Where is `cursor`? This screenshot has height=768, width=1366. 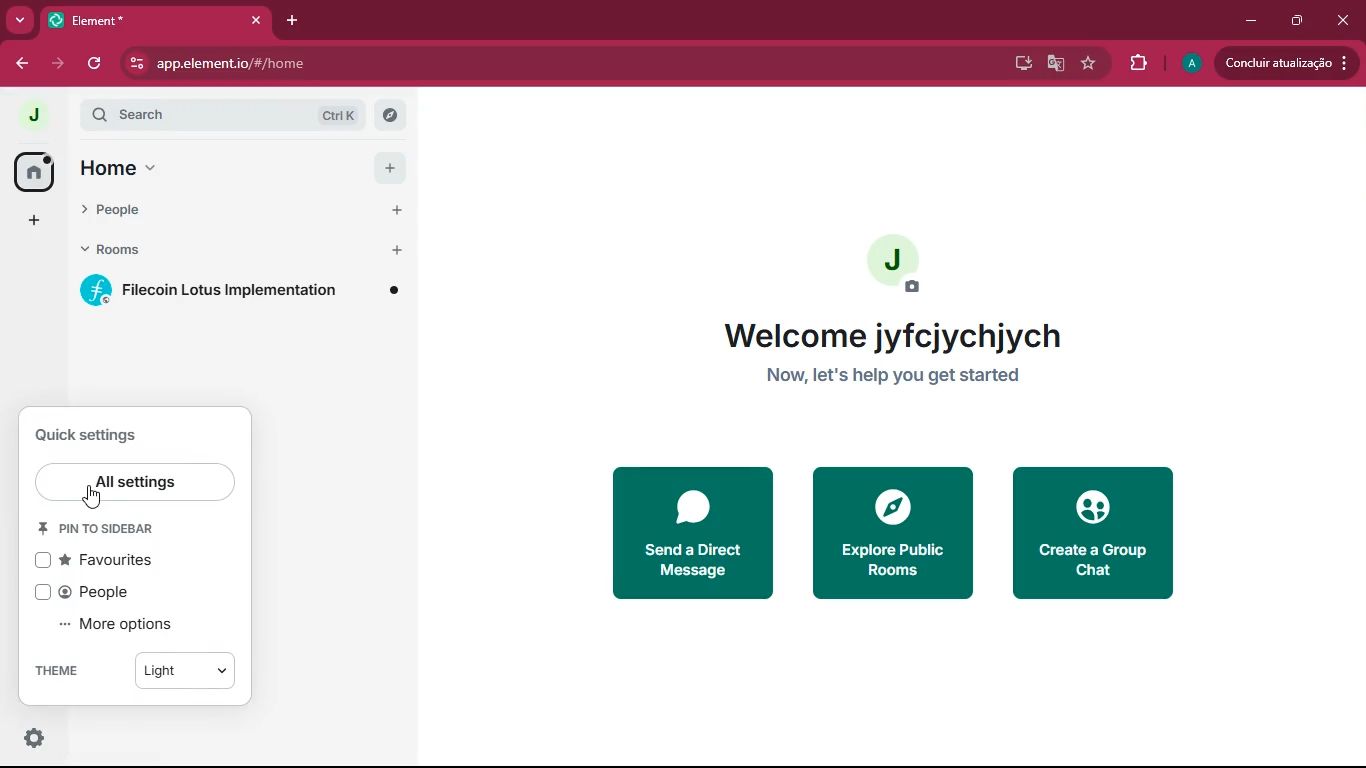
cursor is located at coordinates (90, 498).